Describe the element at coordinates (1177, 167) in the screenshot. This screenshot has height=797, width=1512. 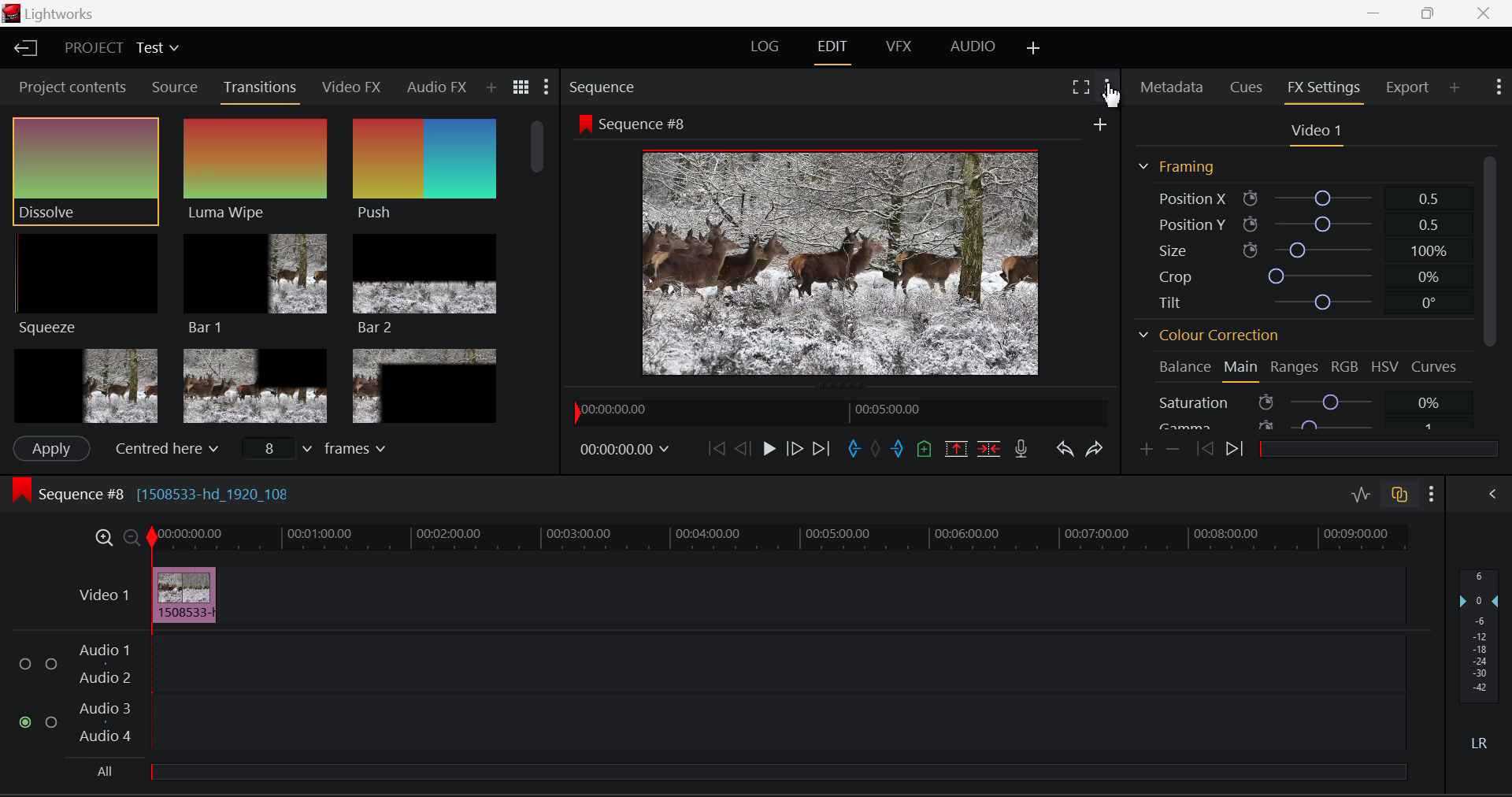
I see `Framing Section` at that location.